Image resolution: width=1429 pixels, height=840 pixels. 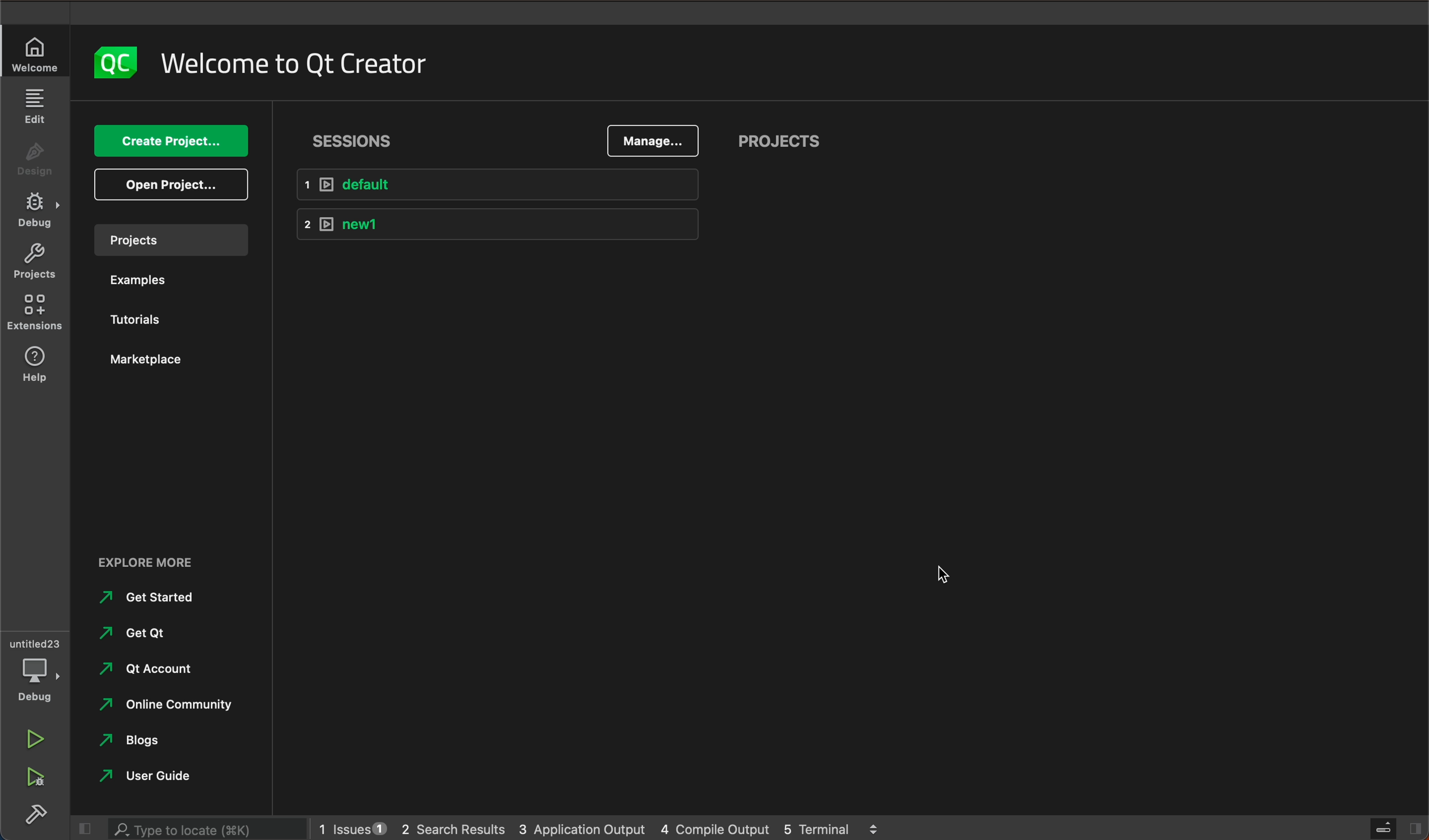 I want to click on design, so click(x=36, y=163).